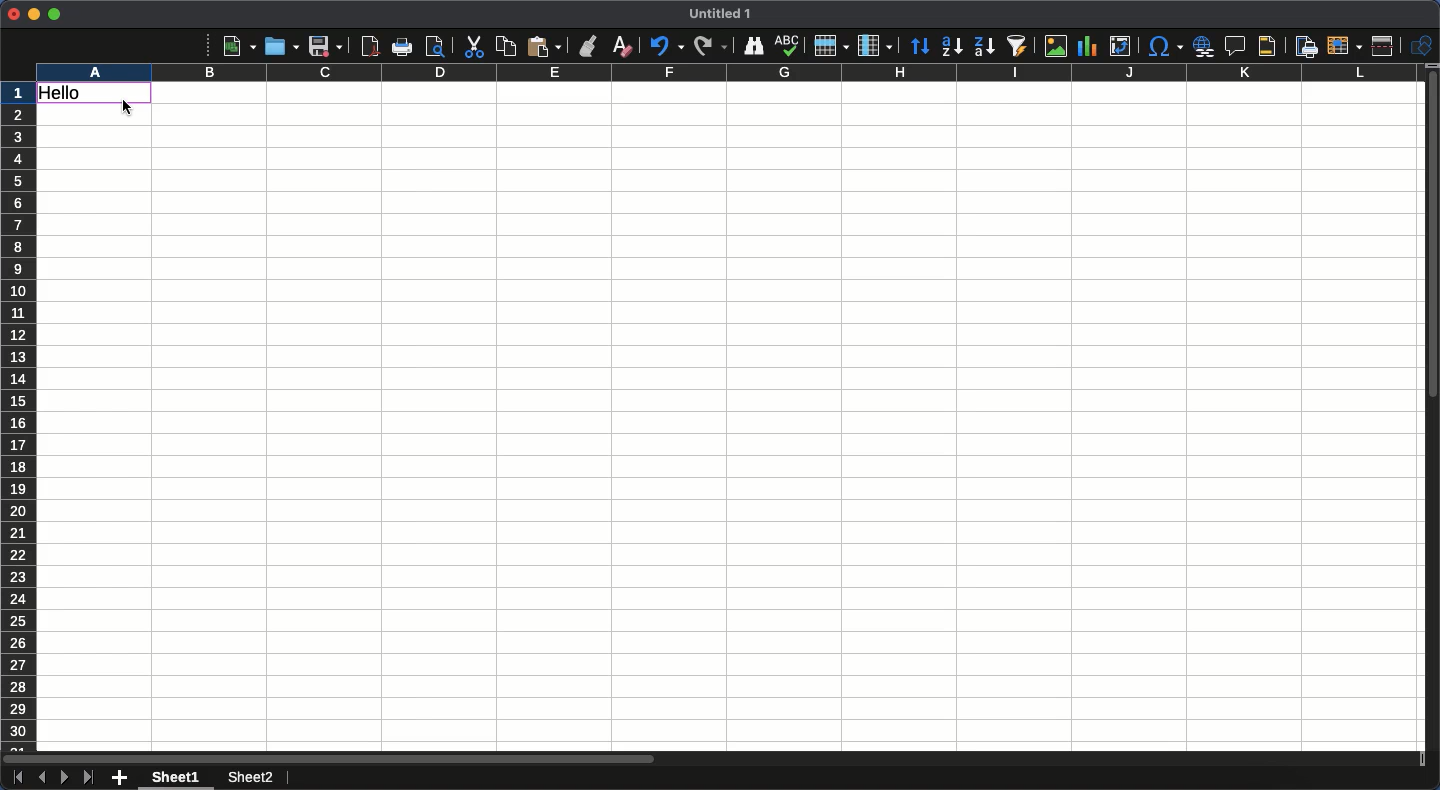 The height and width of the screenshot is (790, 1440). Describe the element at coordinates (1085, 48) in the screenshot. I see `Chart` at that location.